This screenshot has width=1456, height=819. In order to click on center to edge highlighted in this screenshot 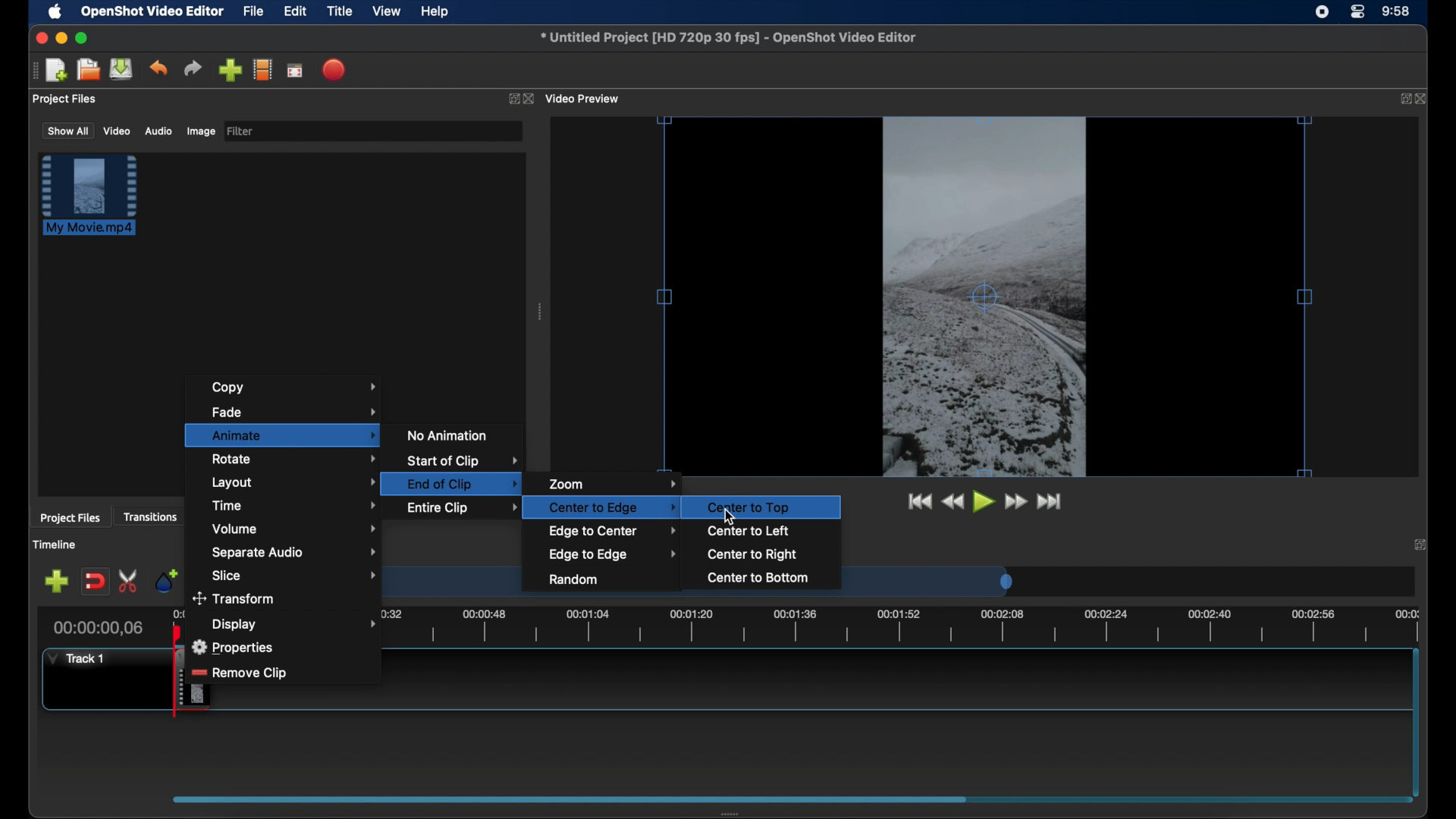, I will do `click(601, 507)`.